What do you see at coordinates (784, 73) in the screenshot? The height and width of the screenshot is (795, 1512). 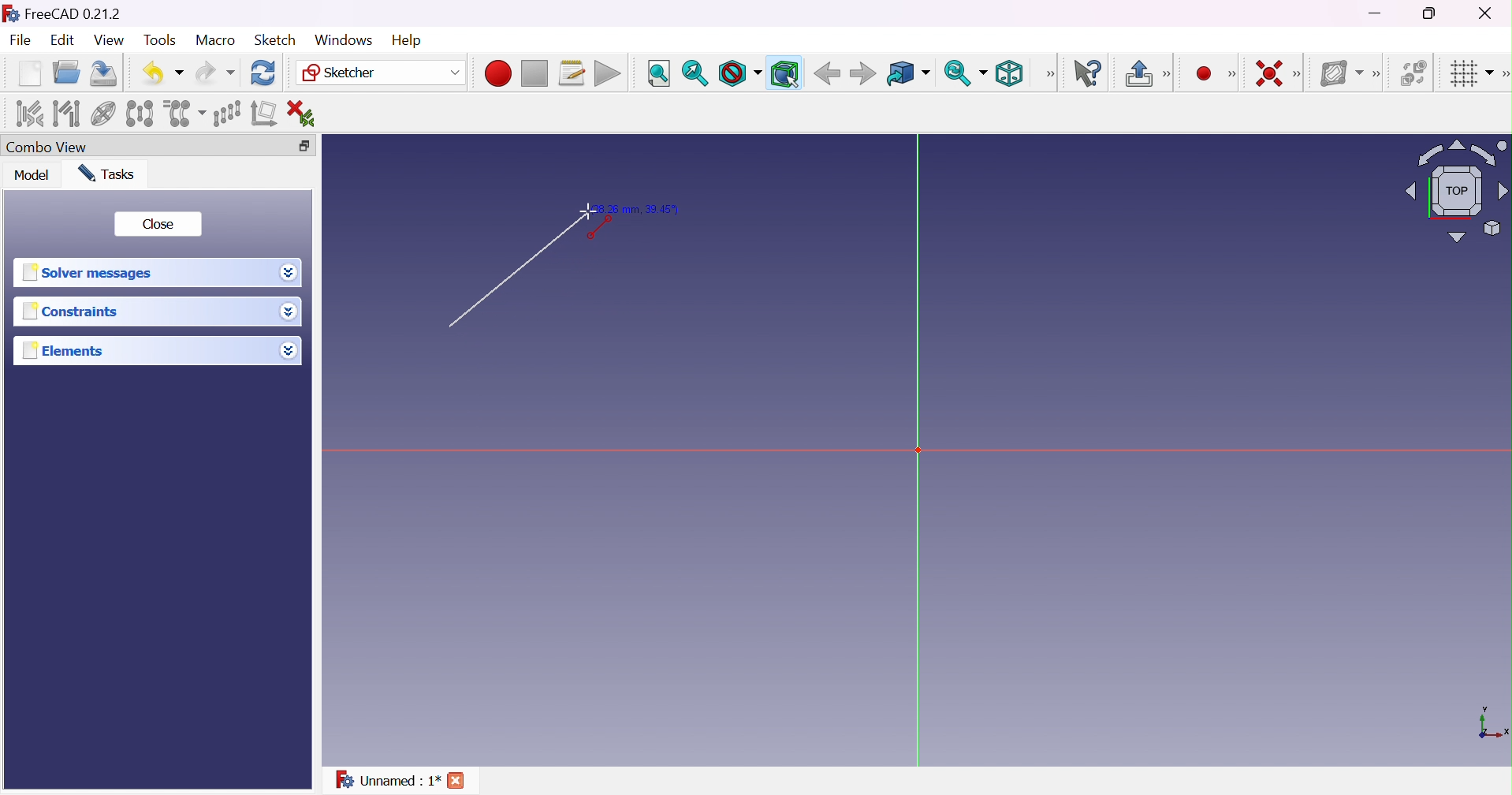 I see `Bounding box` at bounding box center [784, 73].